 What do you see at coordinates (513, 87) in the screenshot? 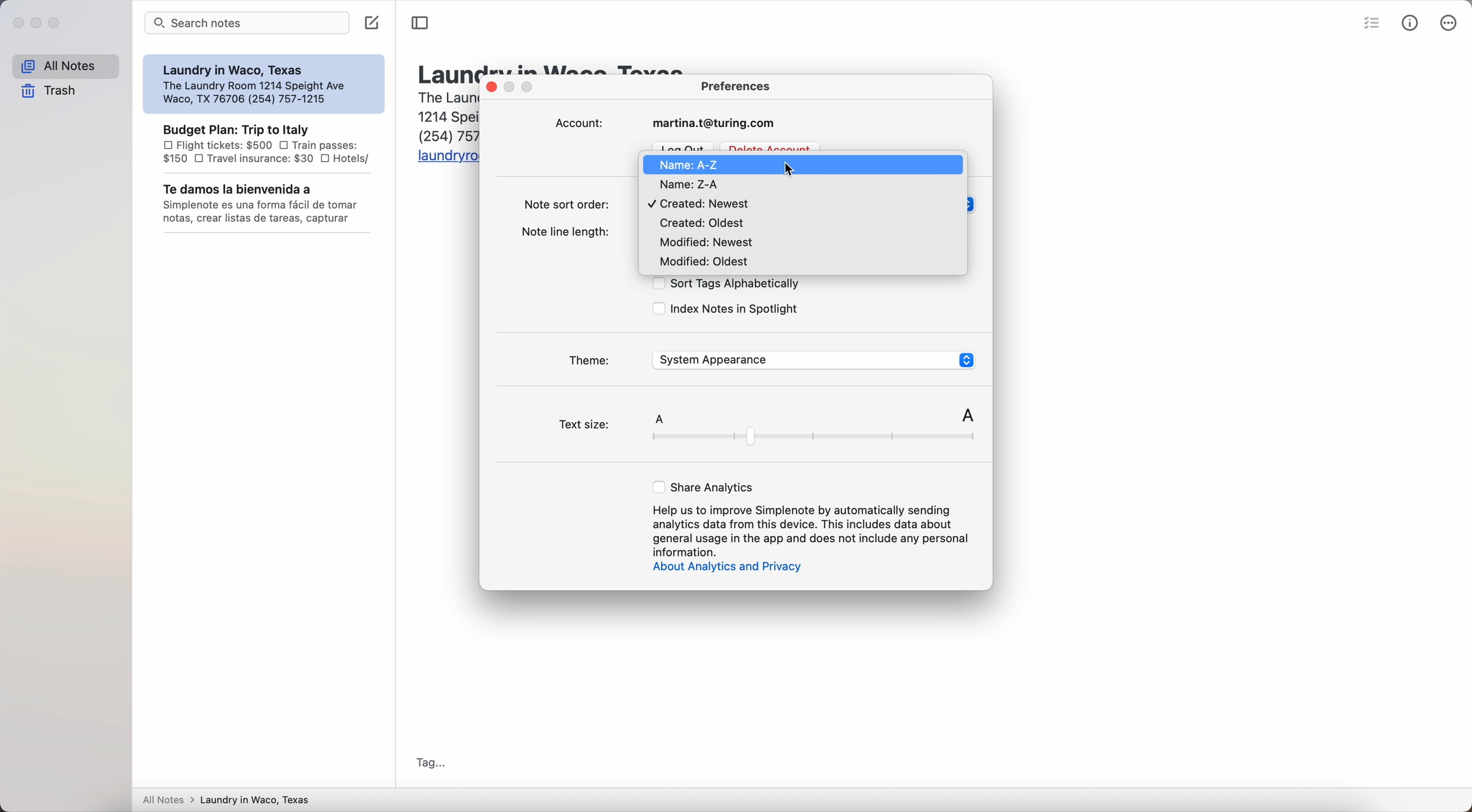
I see `disable minimize pop-up` at bounding box center [513, 87].